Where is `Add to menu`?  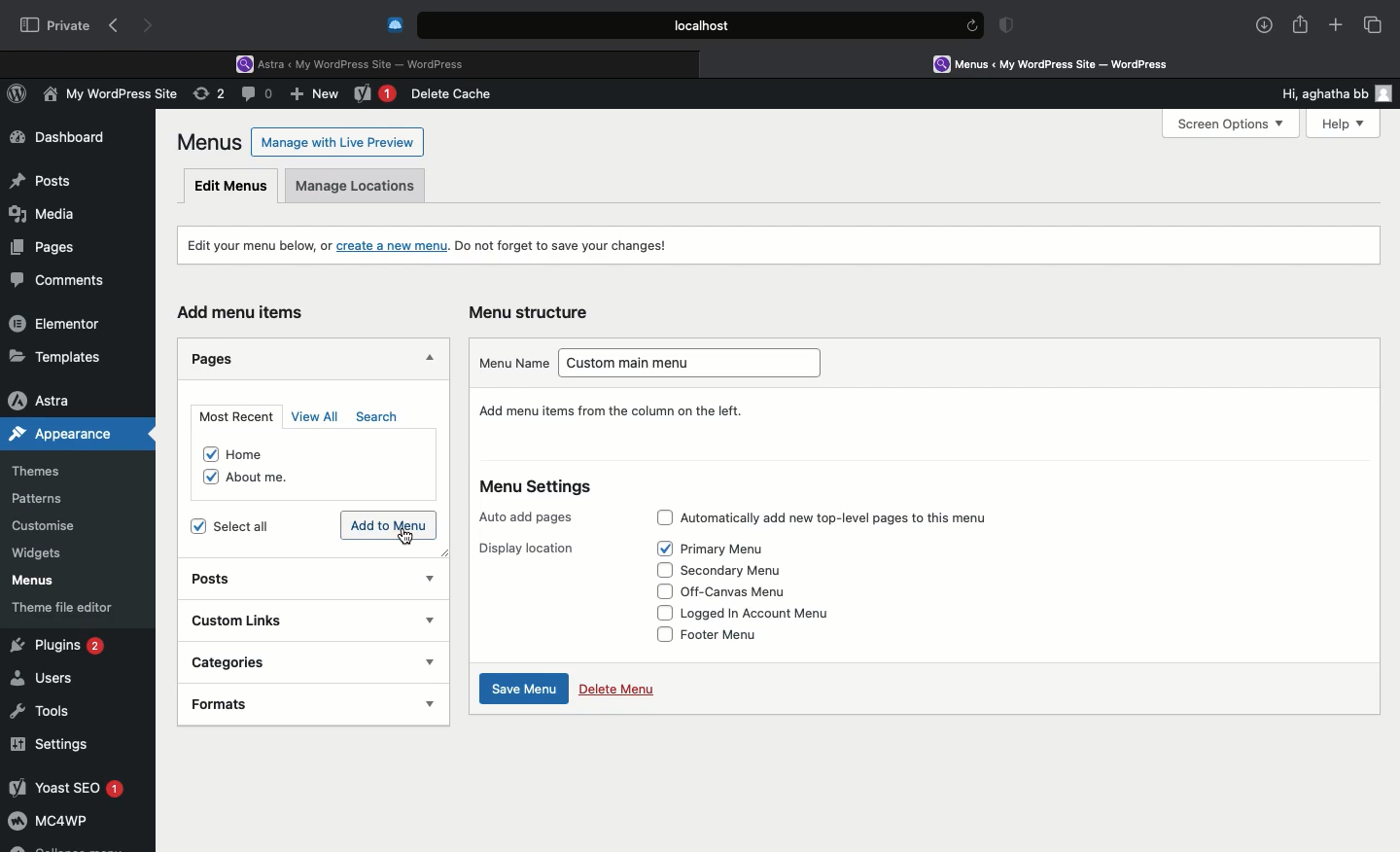
Add to menu is located at coordinates (391, 524).